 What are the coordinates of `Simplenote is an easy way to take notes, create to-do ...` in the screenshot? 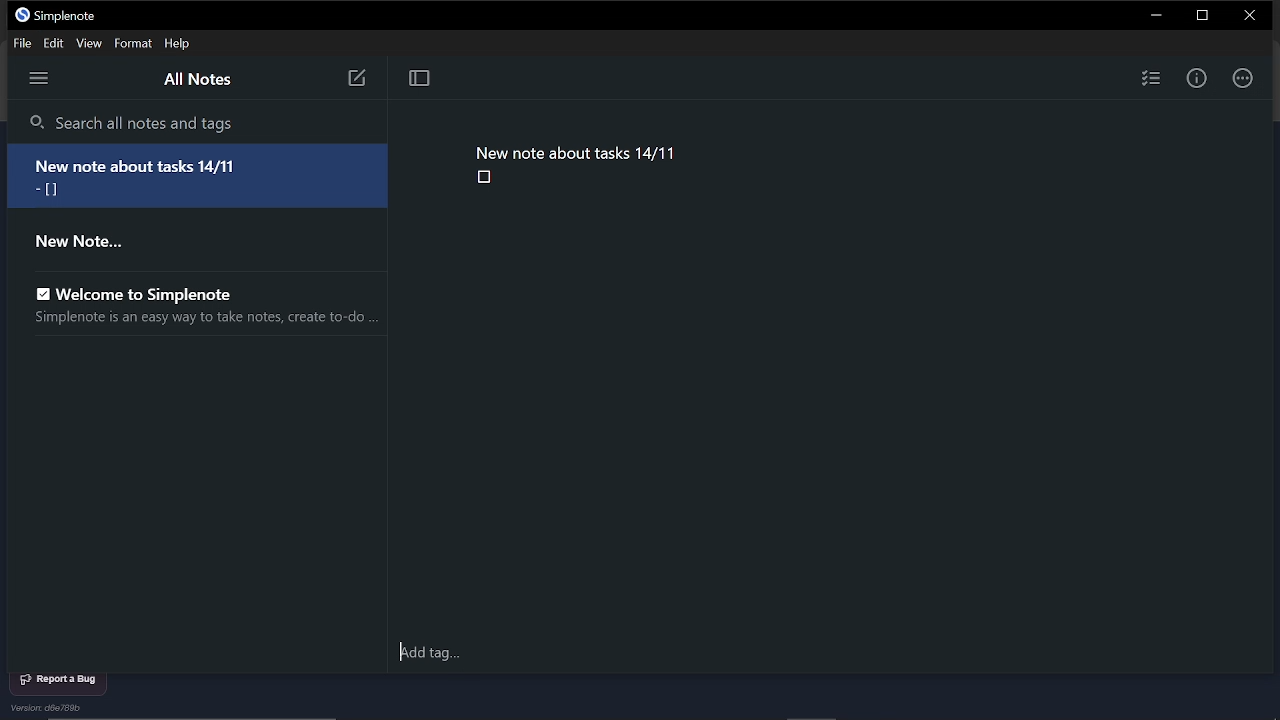 It's located at (201, 320).